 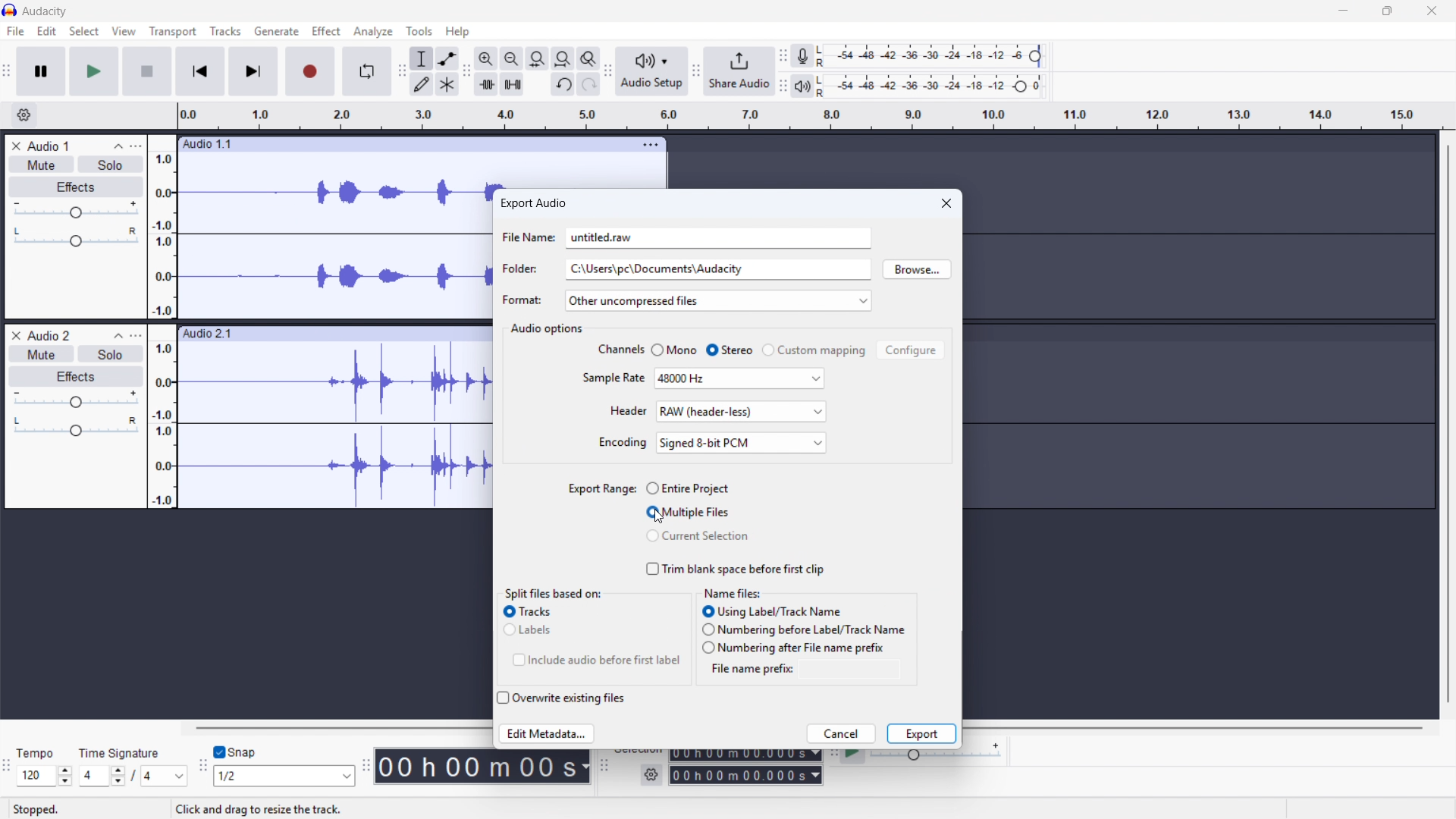 I want to click on audio 2 waveform, so click(x=334, y=426).